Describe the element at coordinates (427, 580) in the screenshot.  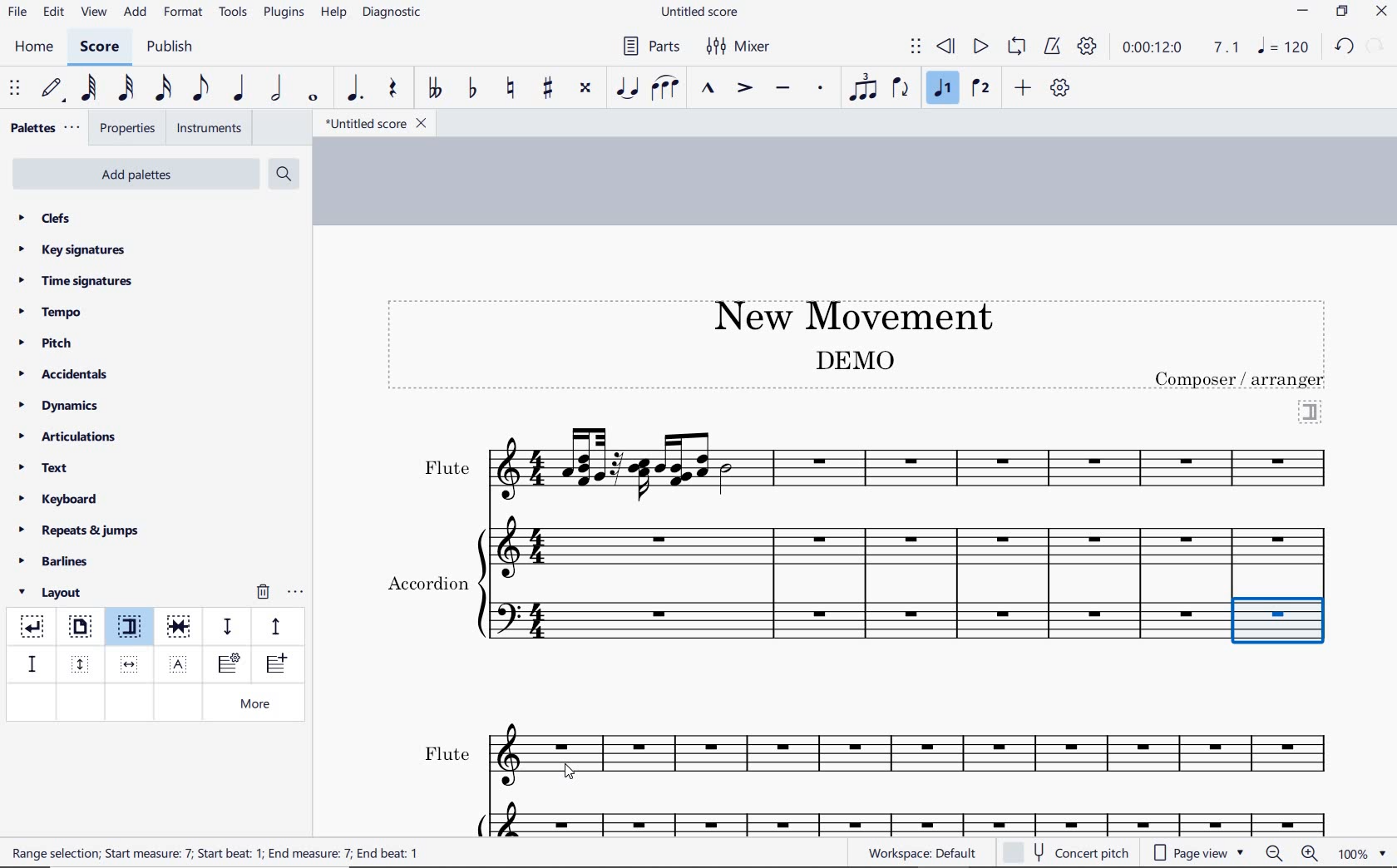
I see `text` at that location.